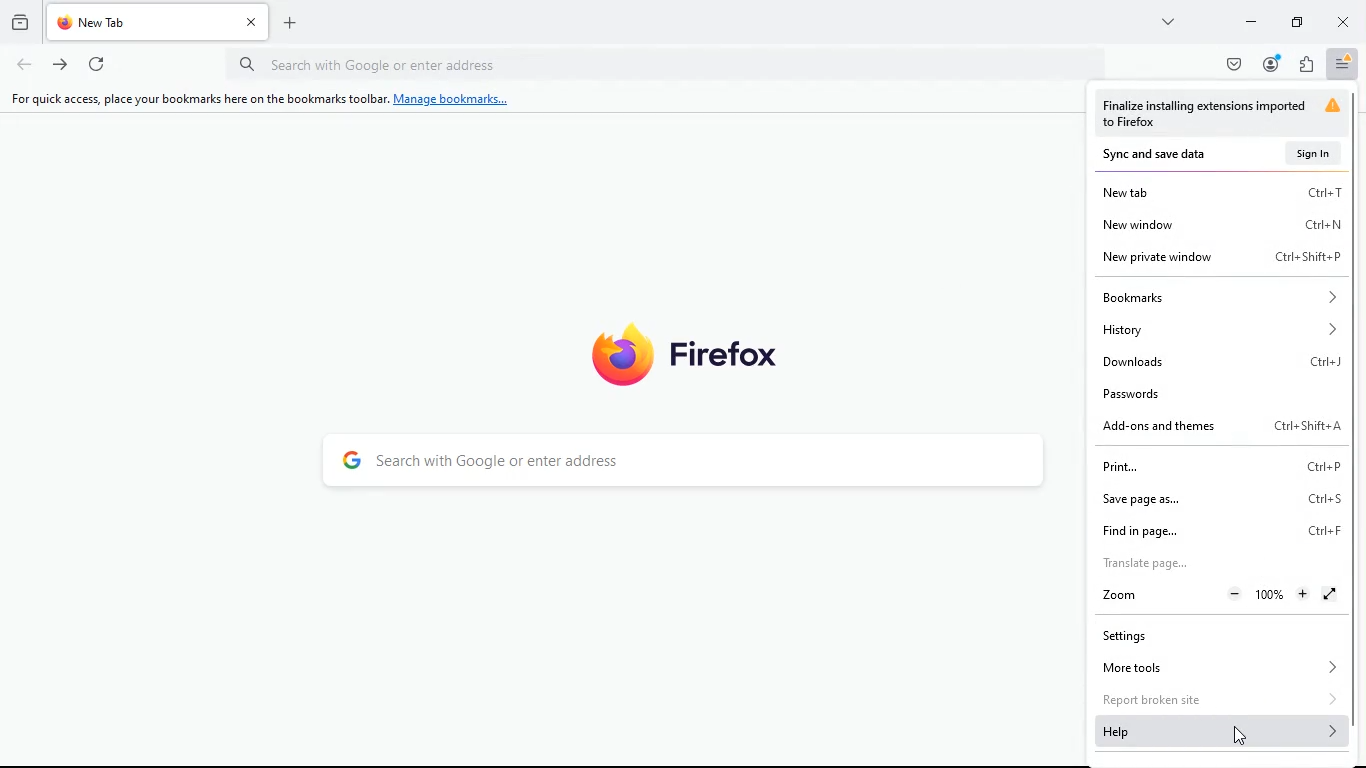  What do you see at coordinates (1226, 331) in the screenshot?
I see `history` at bounding box center [1226, 331].